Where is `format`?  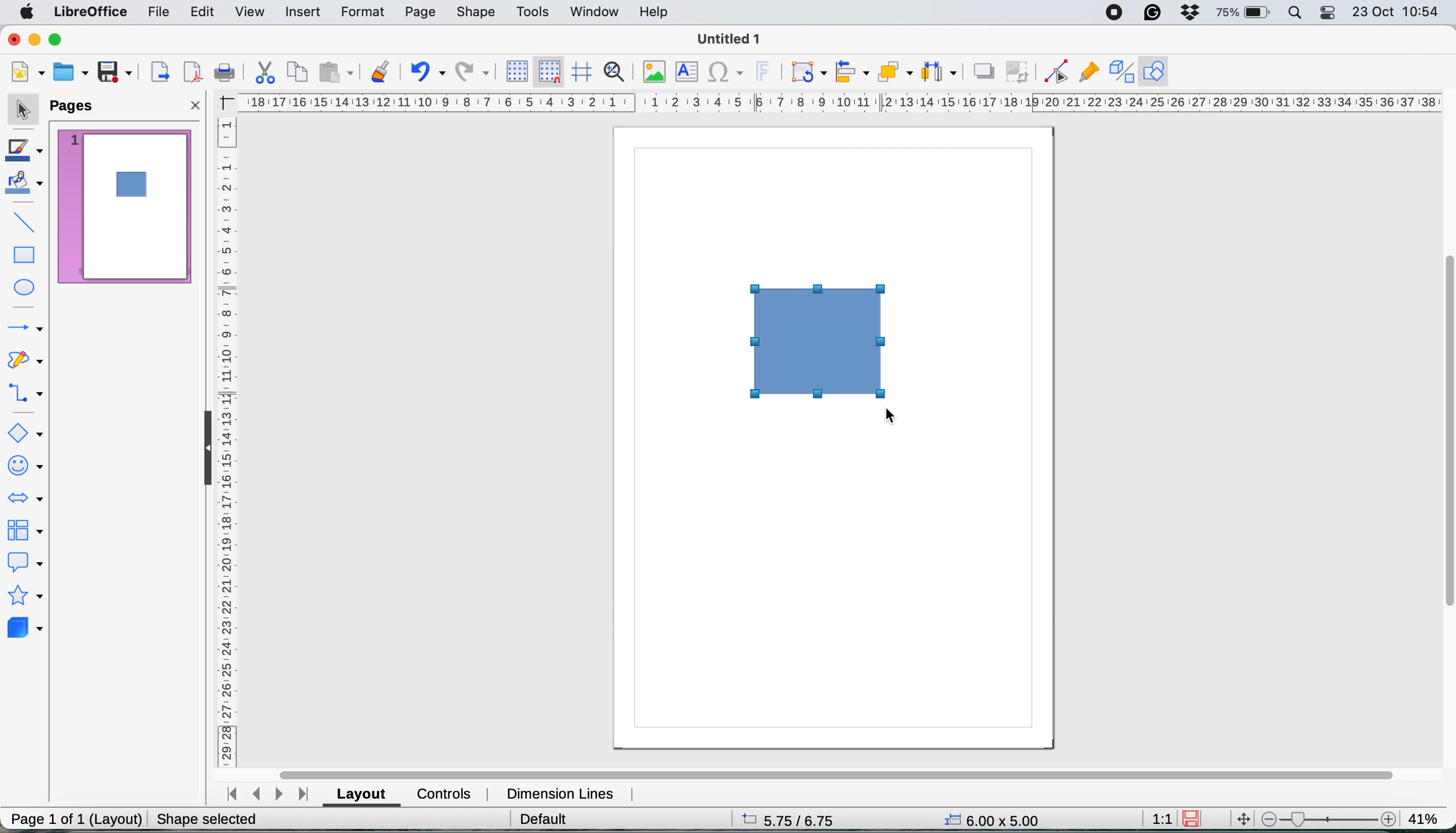
format is located at coordinates (361, 10).